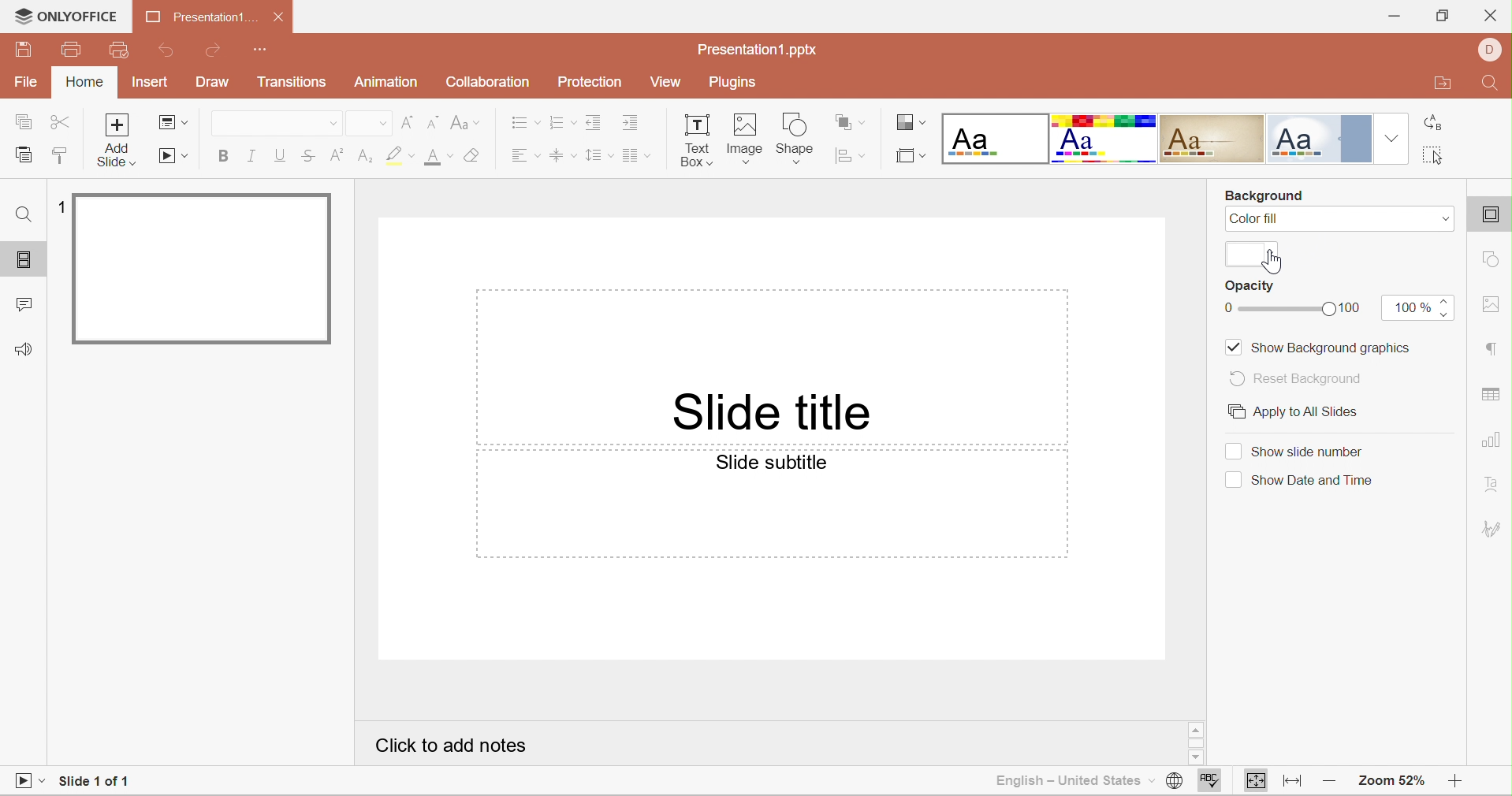 This screenshot has height=796, width=1512. Describe the element at coordinates (1492, 391) in the screenshot. I see `table settings` at that location.